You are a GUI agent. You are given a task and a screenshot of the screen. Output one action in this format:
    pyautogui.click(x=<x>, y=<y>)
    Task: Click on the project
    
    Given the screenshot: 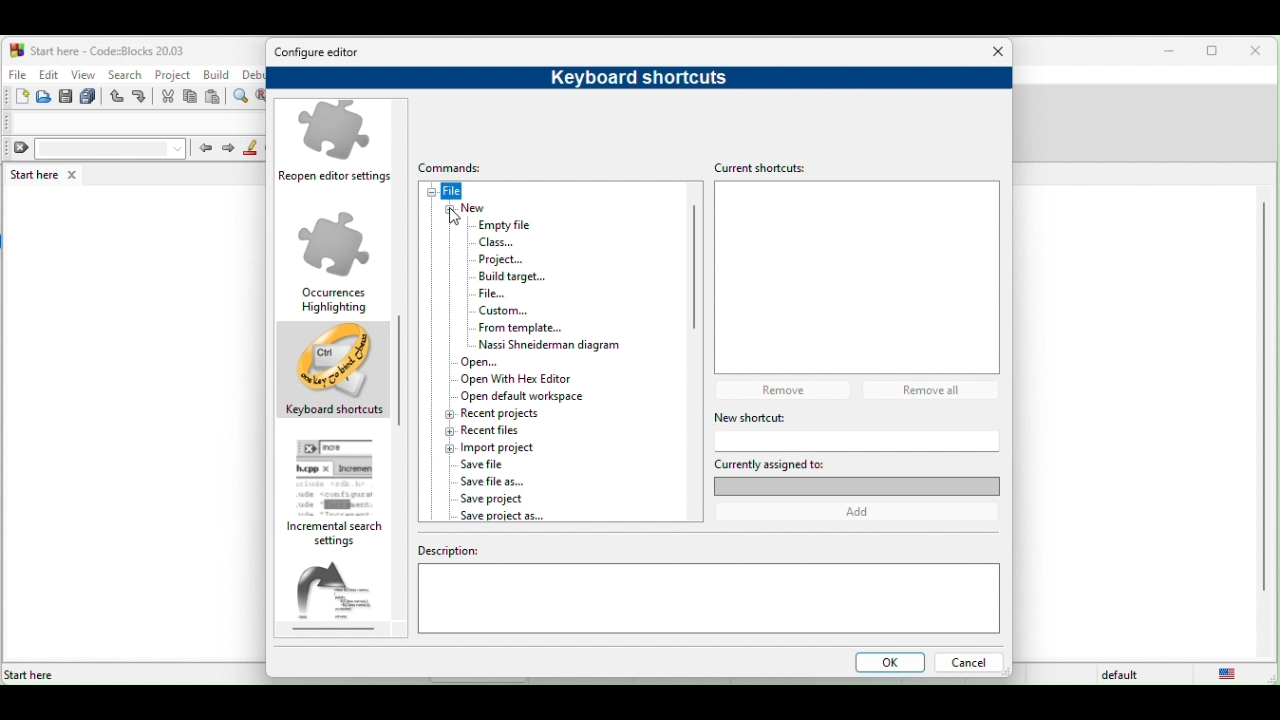 What is the action you would take?
    pyautogui.click(x=506, y=258)
    